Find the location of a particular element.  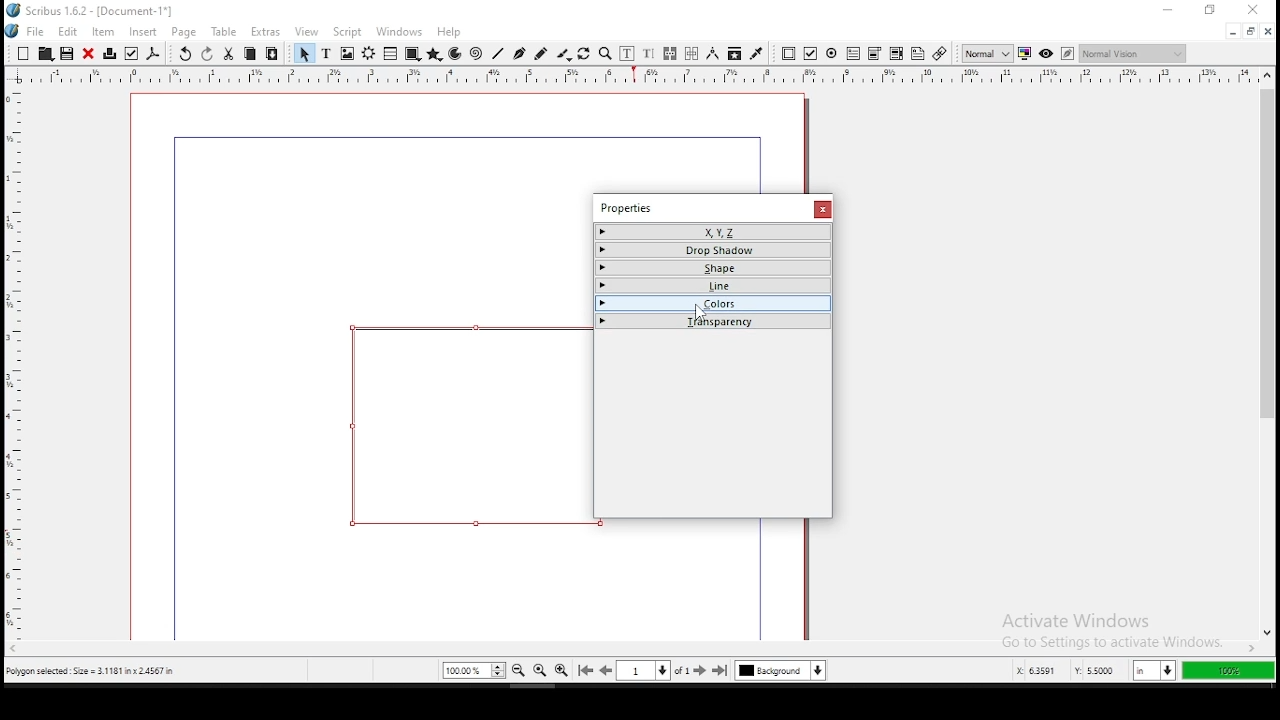

zoom out is located at coordinates (519, 670).